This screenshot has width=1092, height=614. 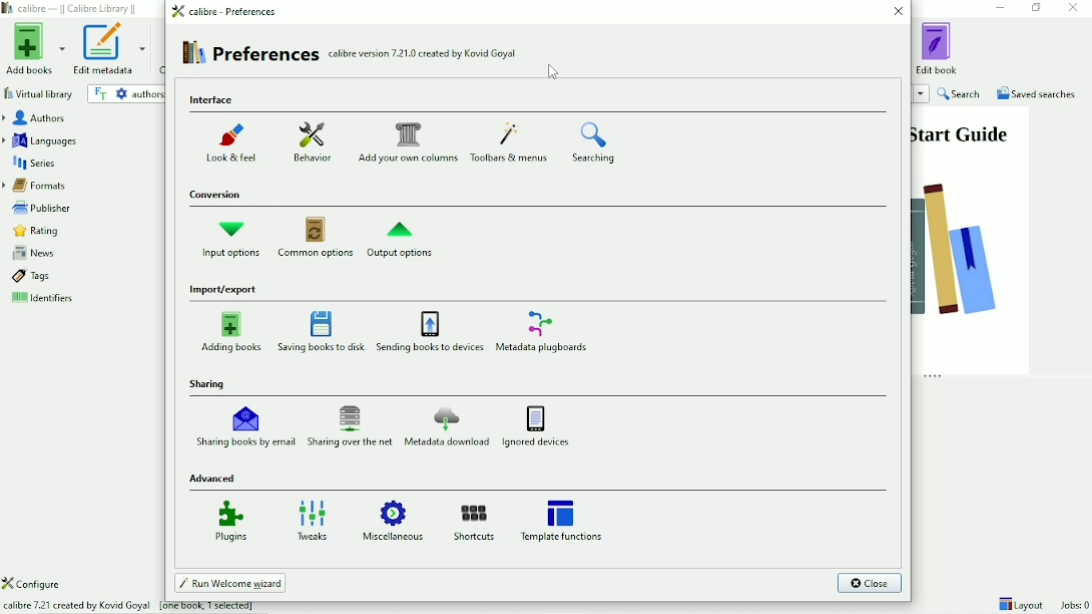 I want to click on Template functions, so click(x=566, y=519).